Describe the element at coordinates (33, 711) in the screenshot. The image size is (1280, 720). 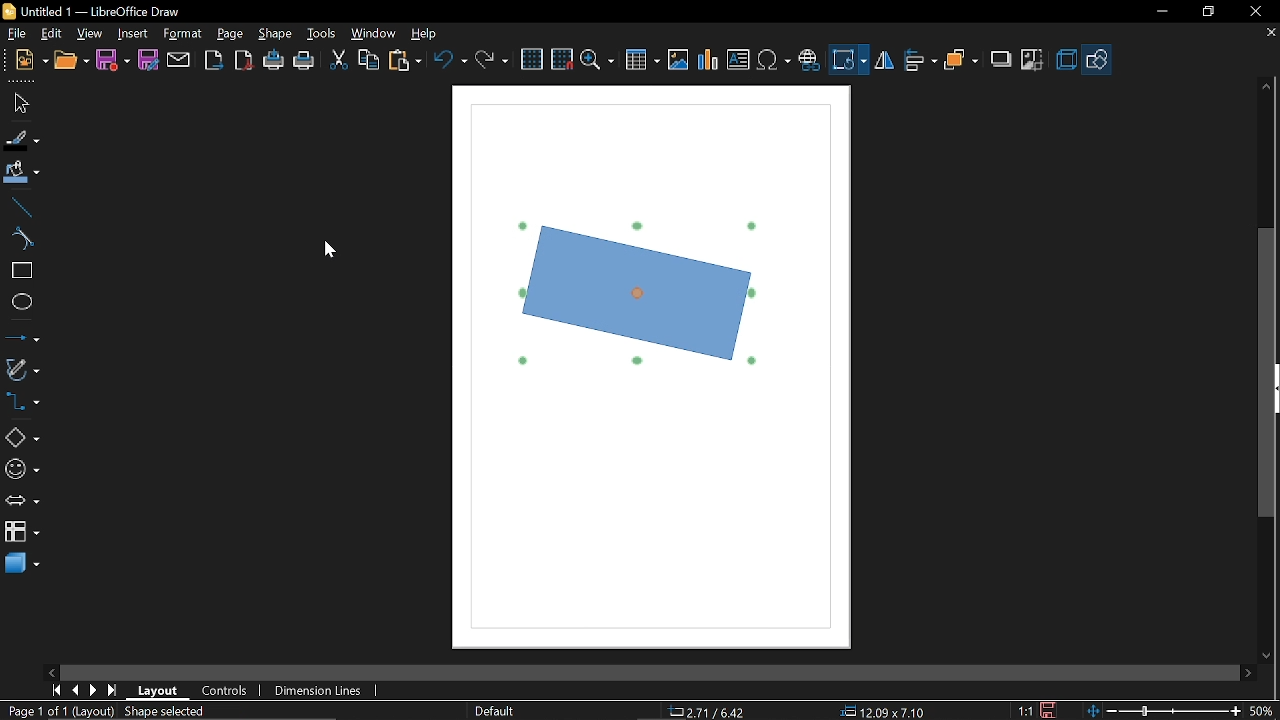
I see `Page 1 of 1` at that location.